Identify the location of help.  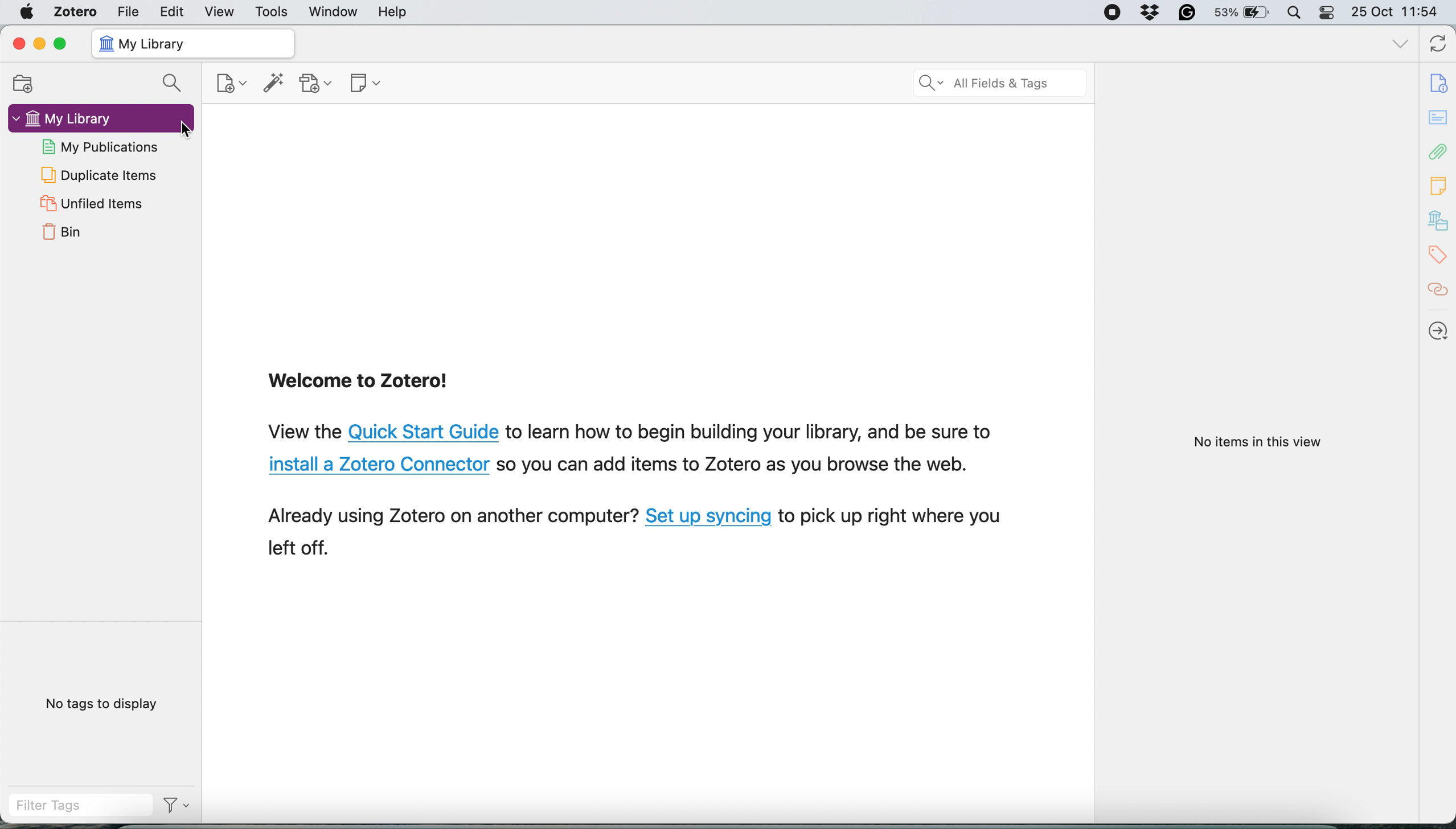
(395, 12).